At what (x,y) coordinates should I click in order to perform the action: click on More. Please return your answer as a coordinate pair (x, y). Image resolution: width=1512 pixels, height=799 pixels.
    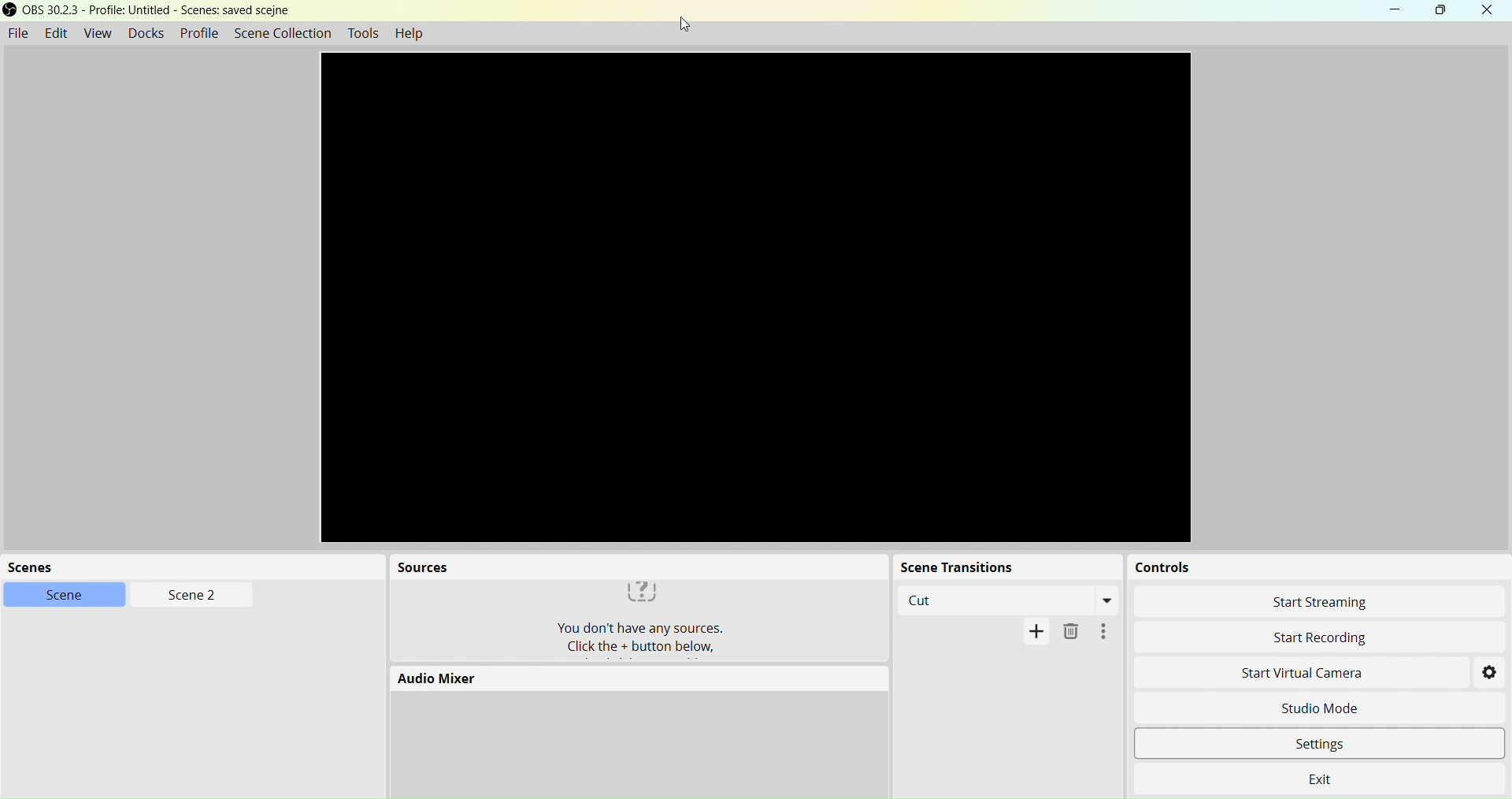
    Looking at the image, I should click on (1102, 633).